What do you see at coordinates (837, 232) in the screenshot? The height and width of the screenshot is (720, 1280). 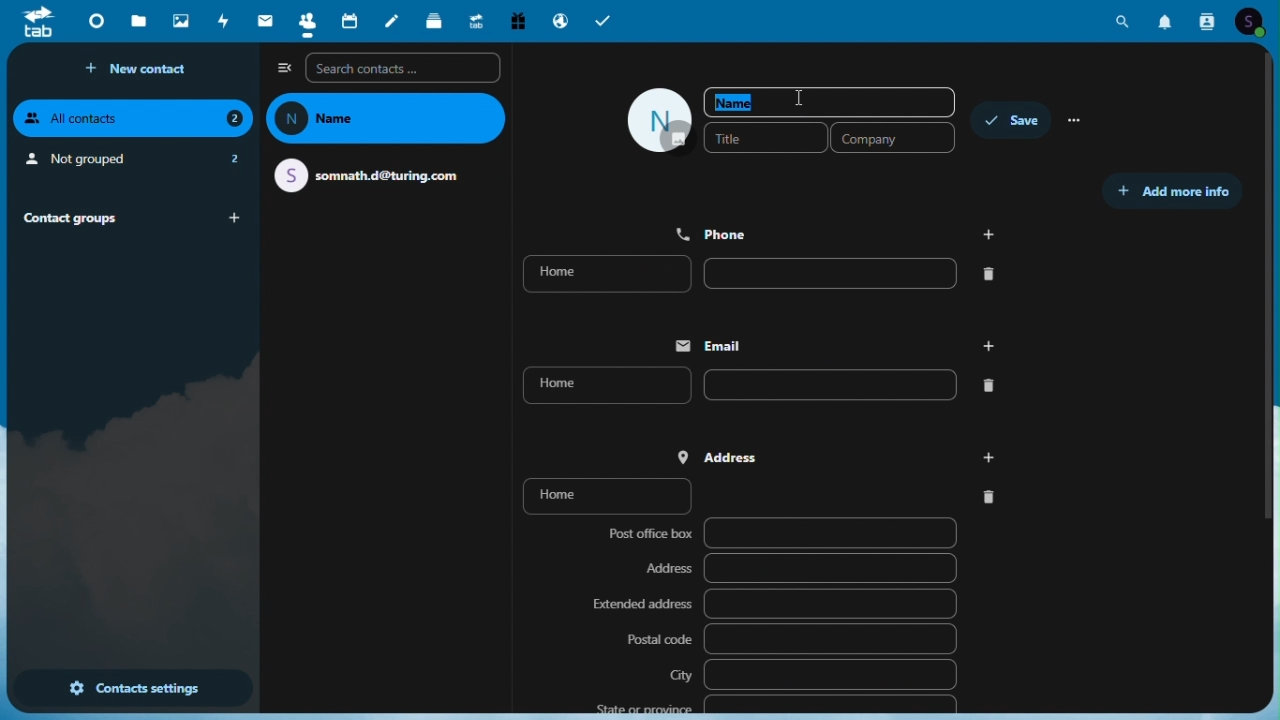 I see `phone` at bounding box center [837, 232].